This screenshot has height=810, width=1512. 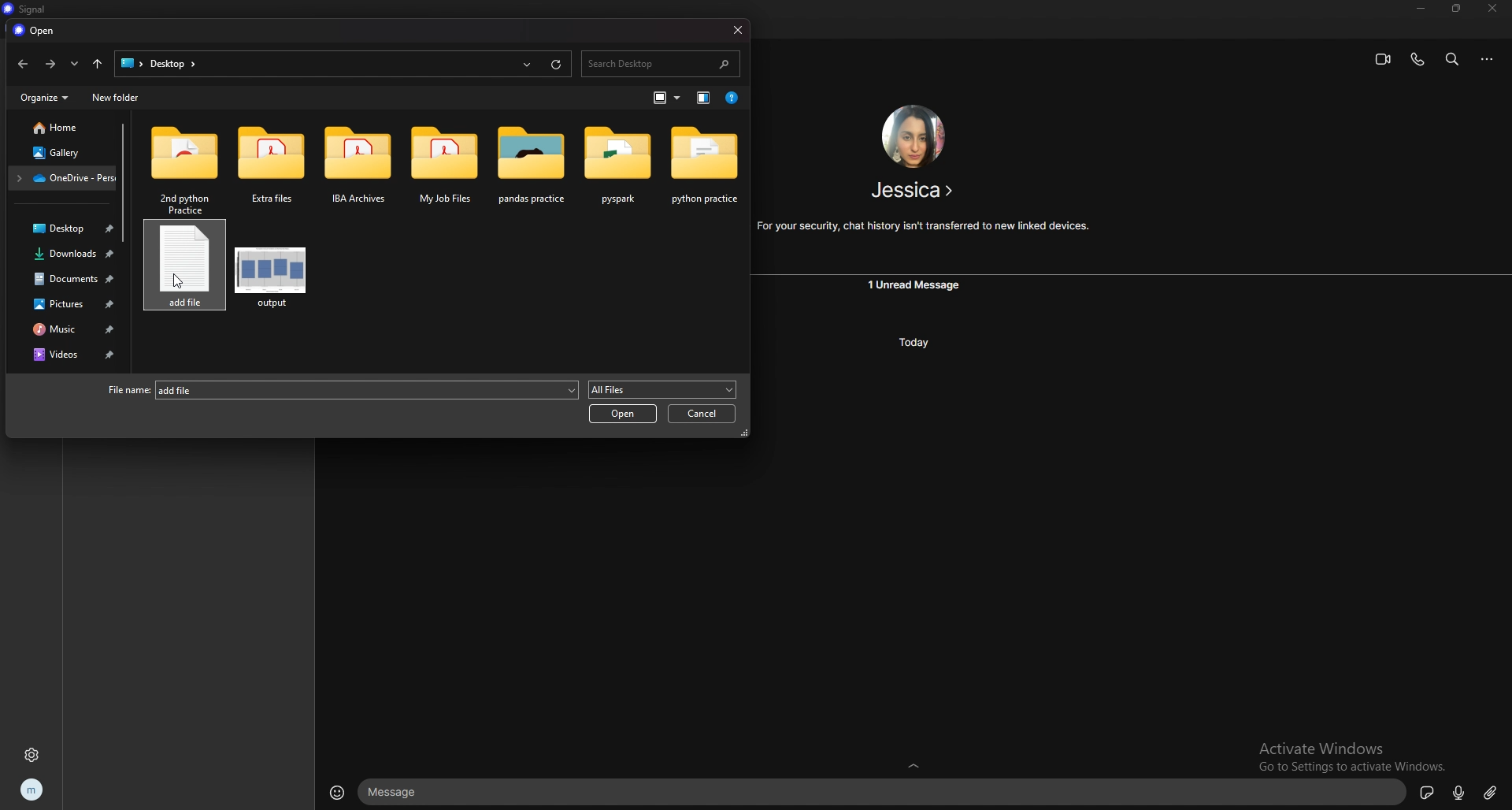 I want to click on folder, so click(x=704, y=169).